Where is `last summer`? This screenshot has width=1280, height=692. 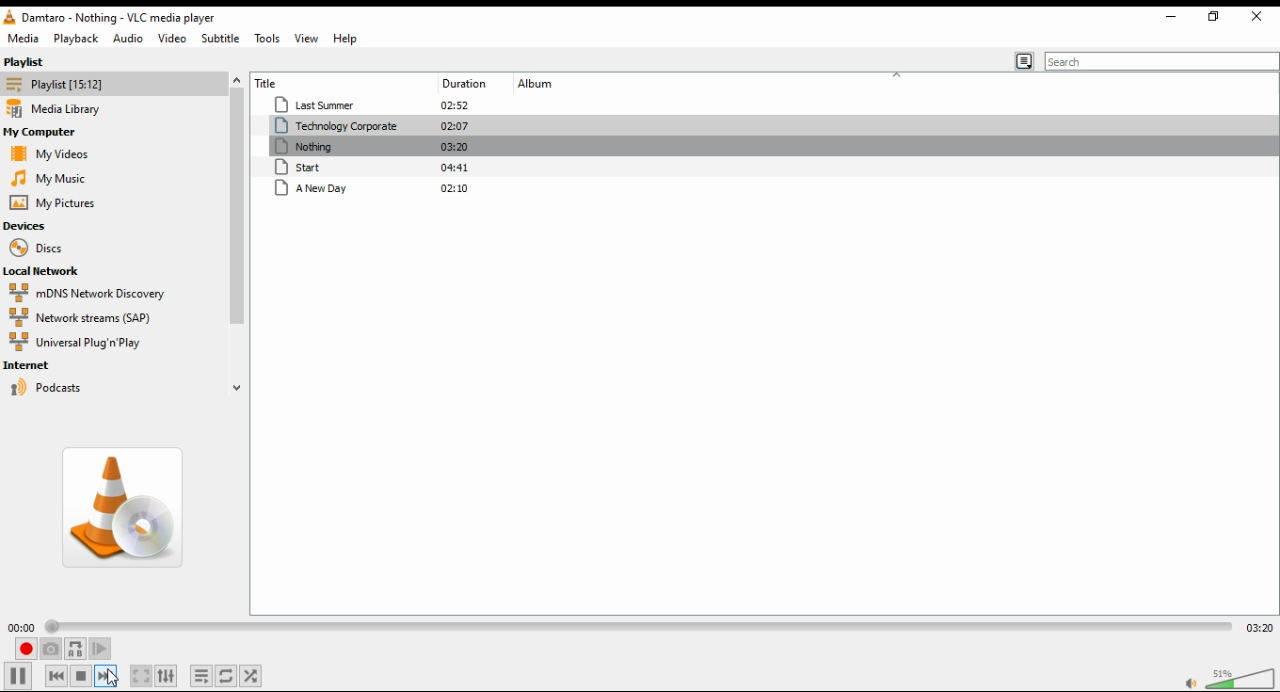 last summer is located at coordinates (377, 102).